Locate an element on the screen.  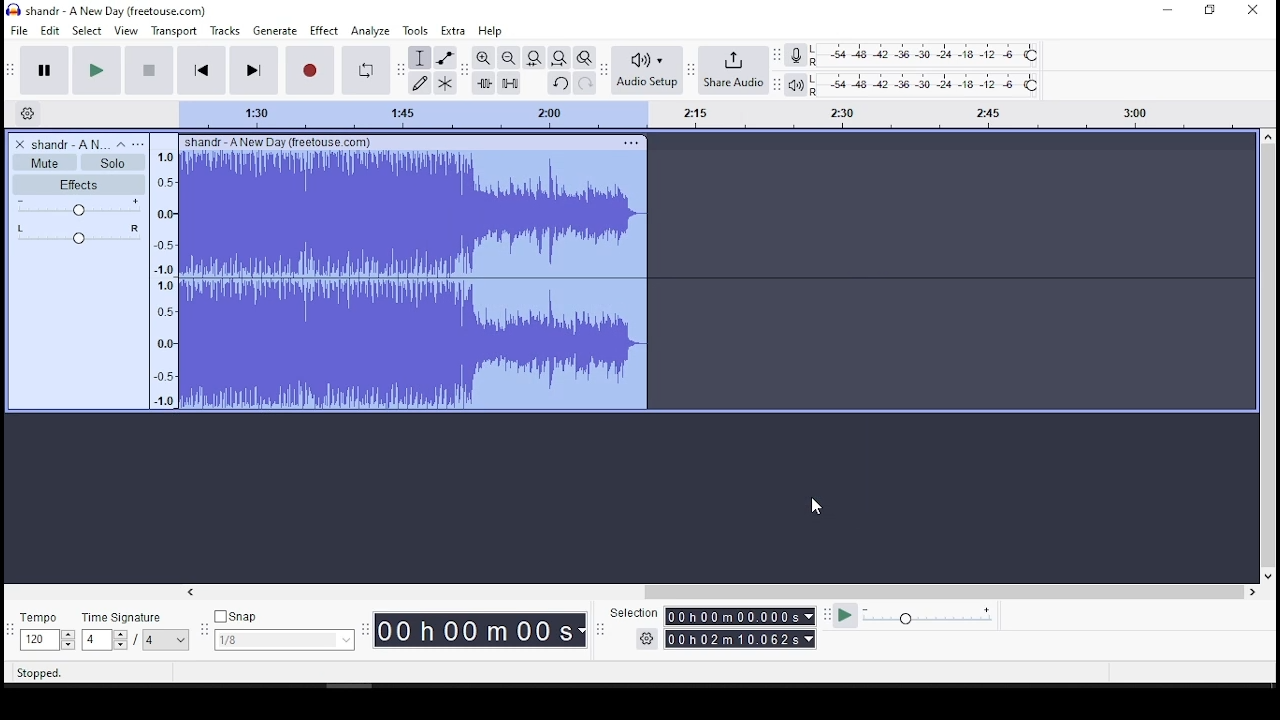
record is located at coordinates (310, 71).